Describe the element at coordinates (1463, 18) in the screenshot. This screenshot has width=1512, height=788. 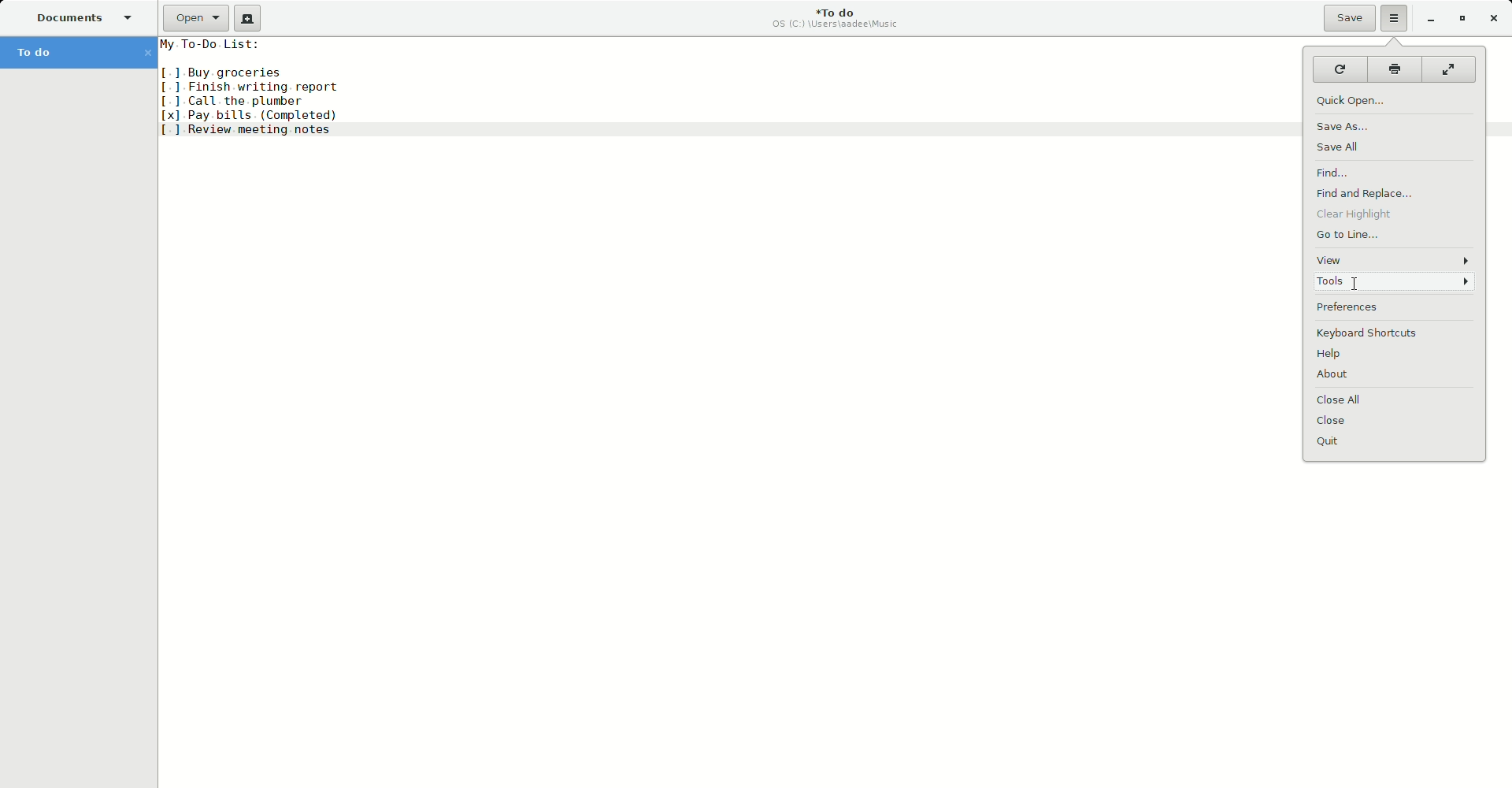
I see `Restore` at that location.